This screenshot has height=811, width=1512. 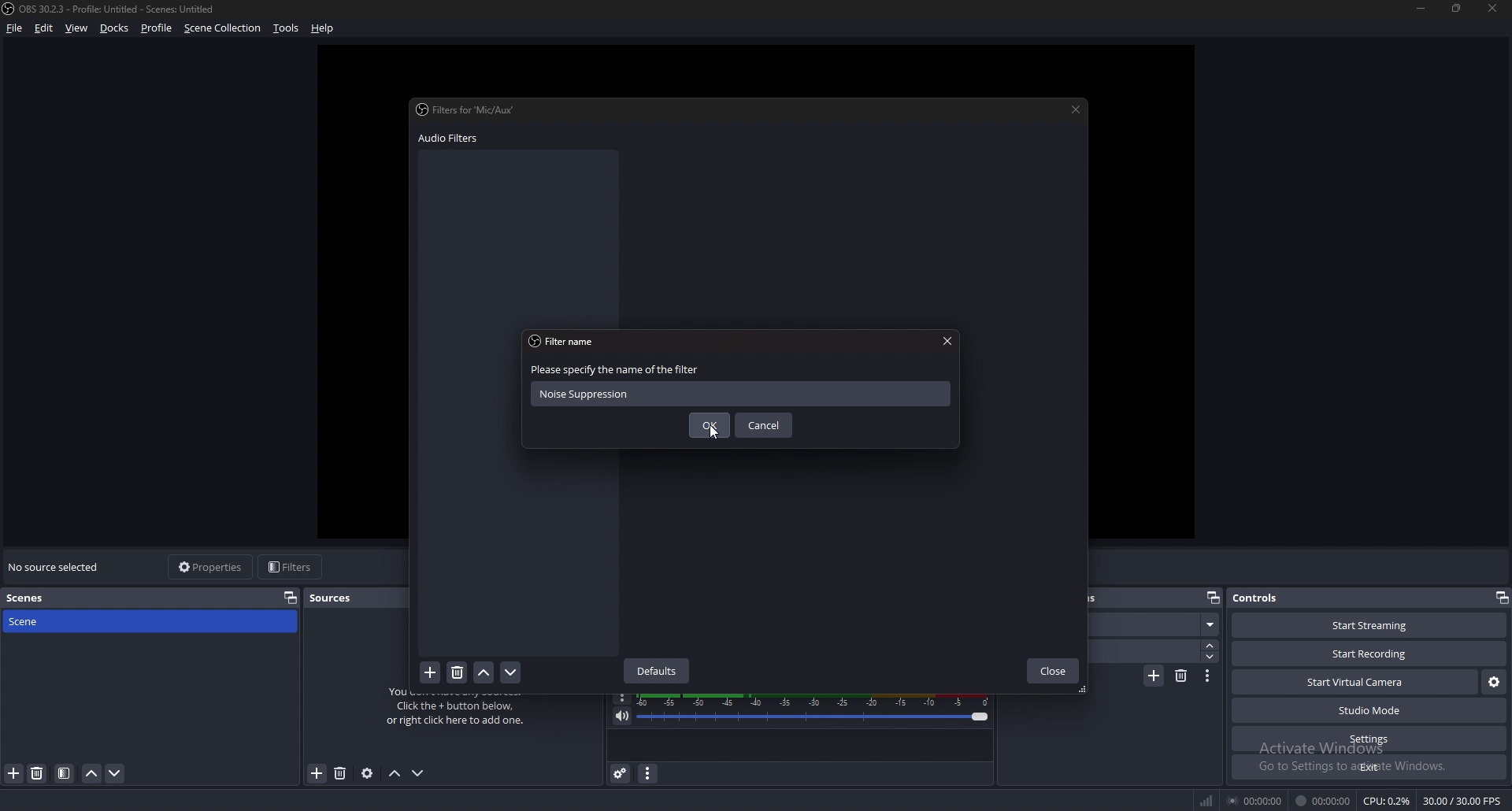 What do you see at coordinates (1262, 598) in the screenshot?
I see `controls` at bounding box center [1262, 598].